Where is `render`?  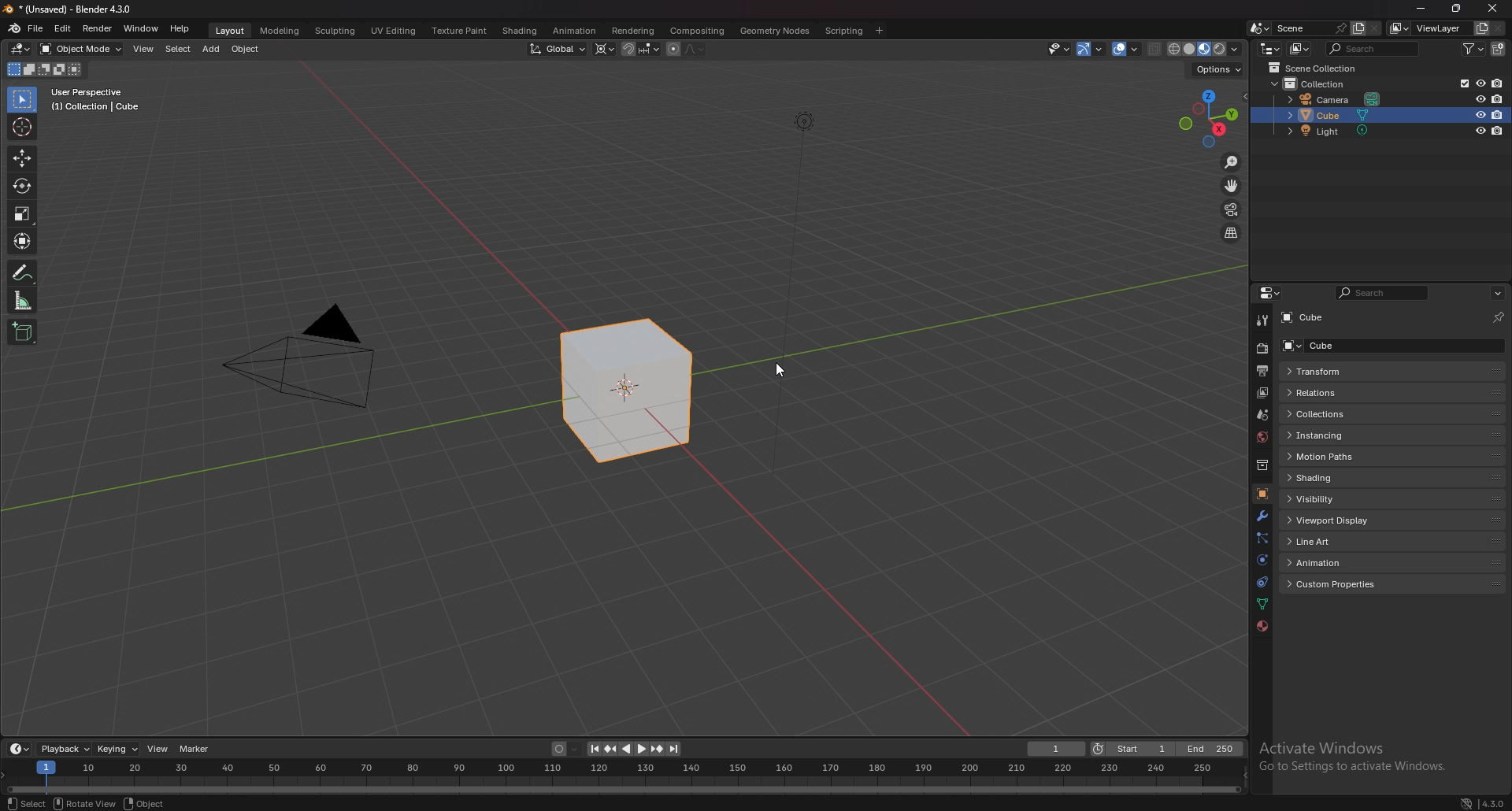
render is located at coordinates (1262, 350).